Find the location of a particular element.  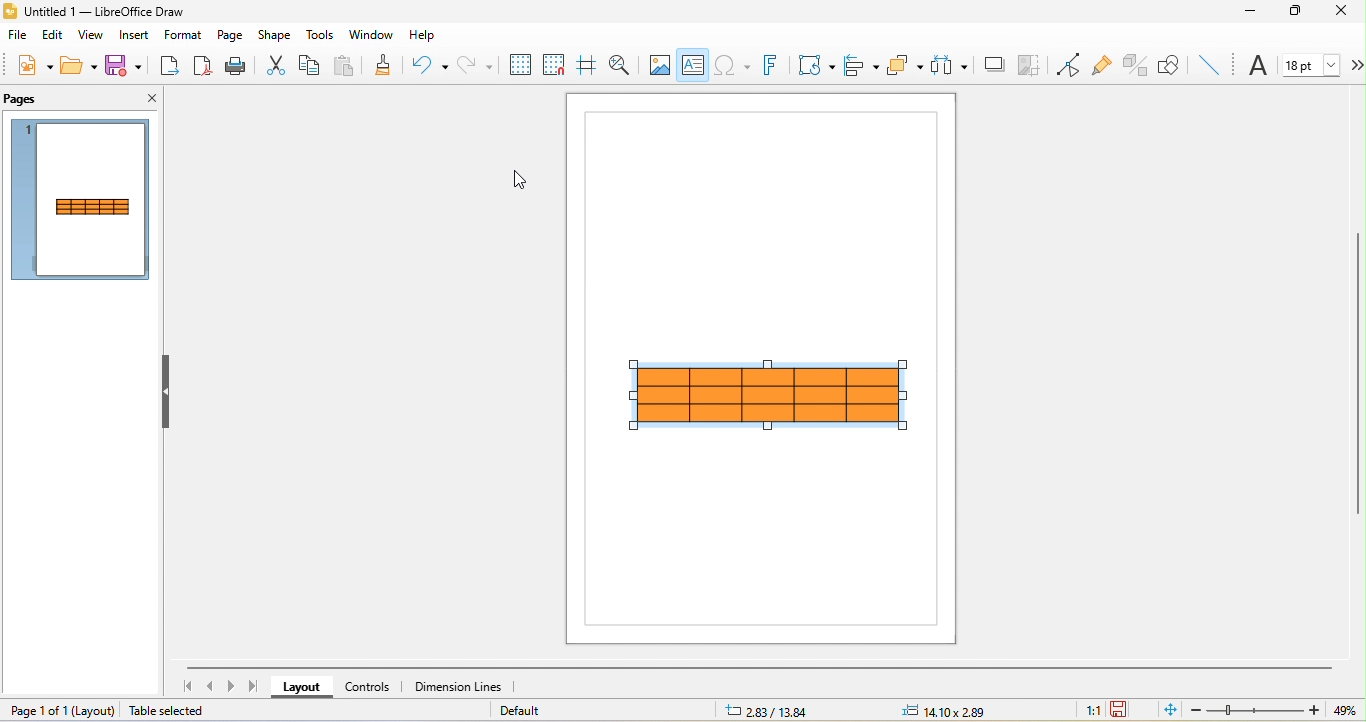

special character is located at coordinates (735, 65).